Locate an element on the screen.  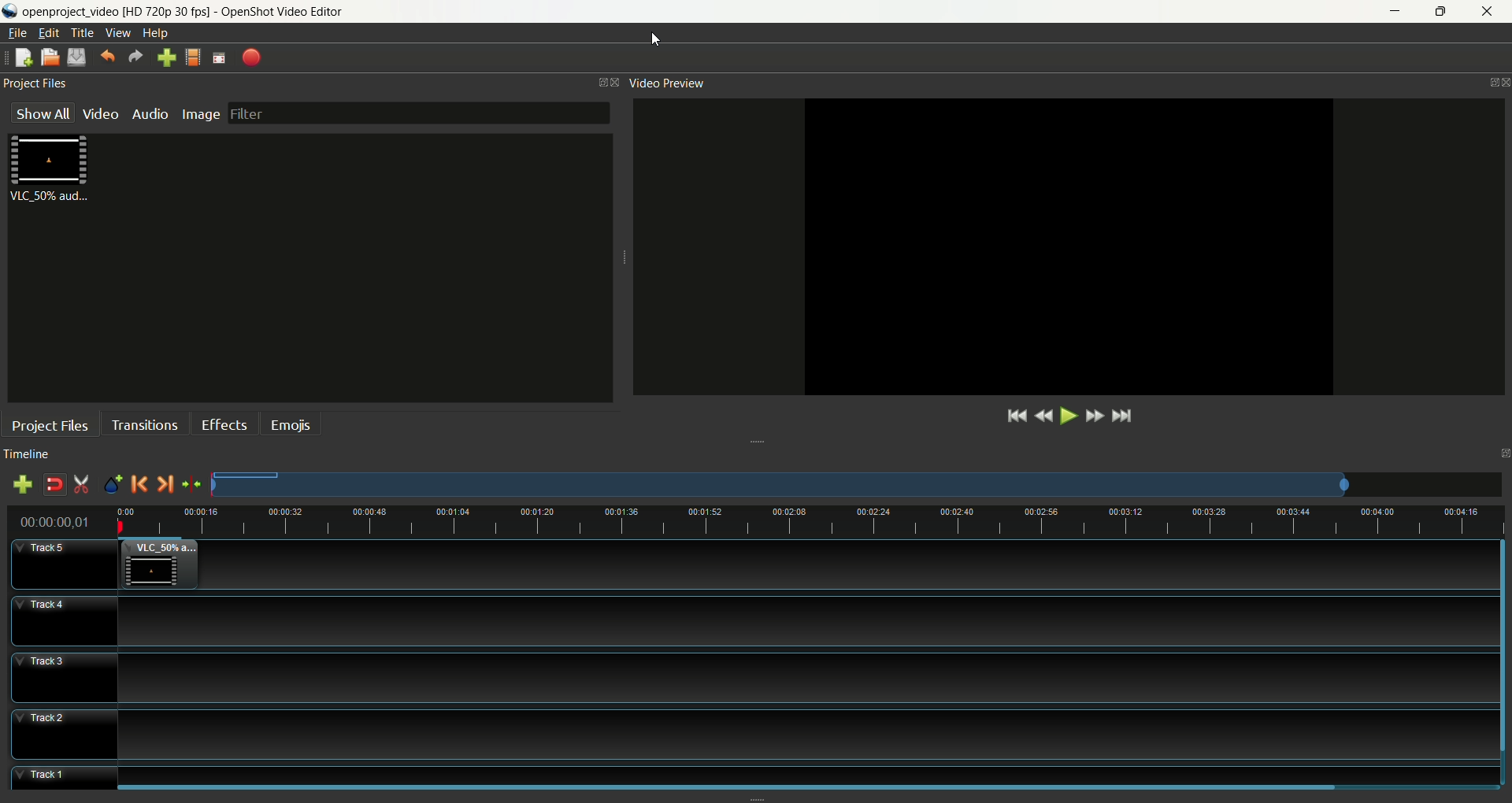
maximize is located at coordinates (1482, 80).